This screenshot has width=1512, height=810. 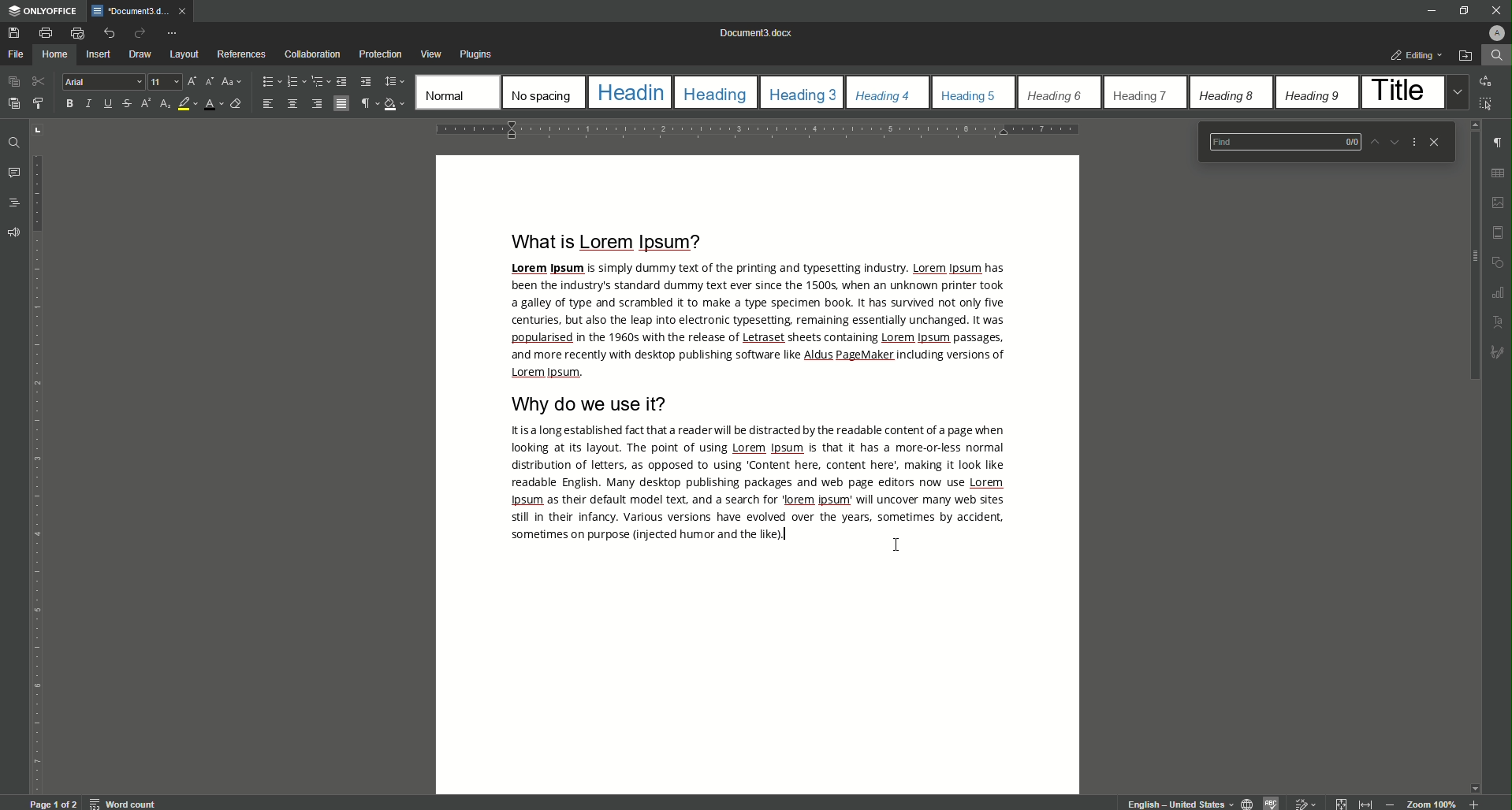 I want to click on Arial, so click(x=103, y=82).